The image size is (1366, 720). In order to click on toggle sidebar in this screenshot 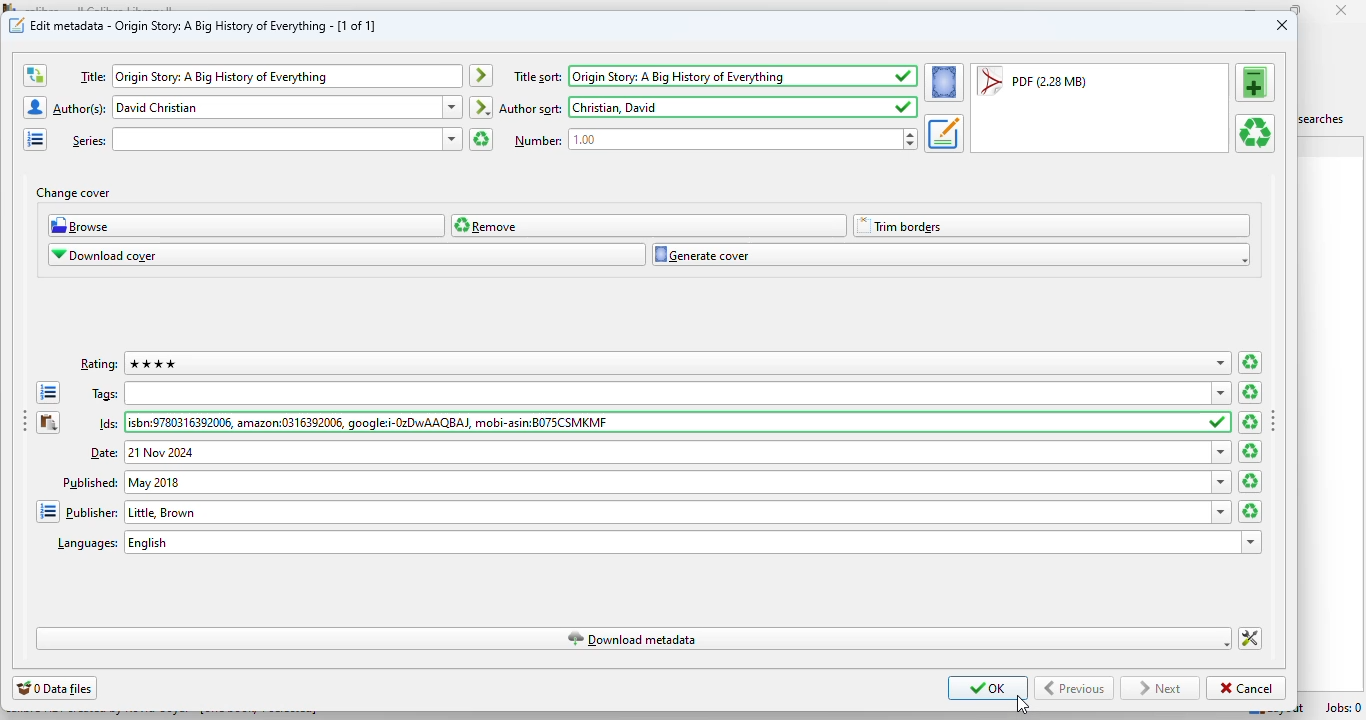, I will do `click(23, 420)`.